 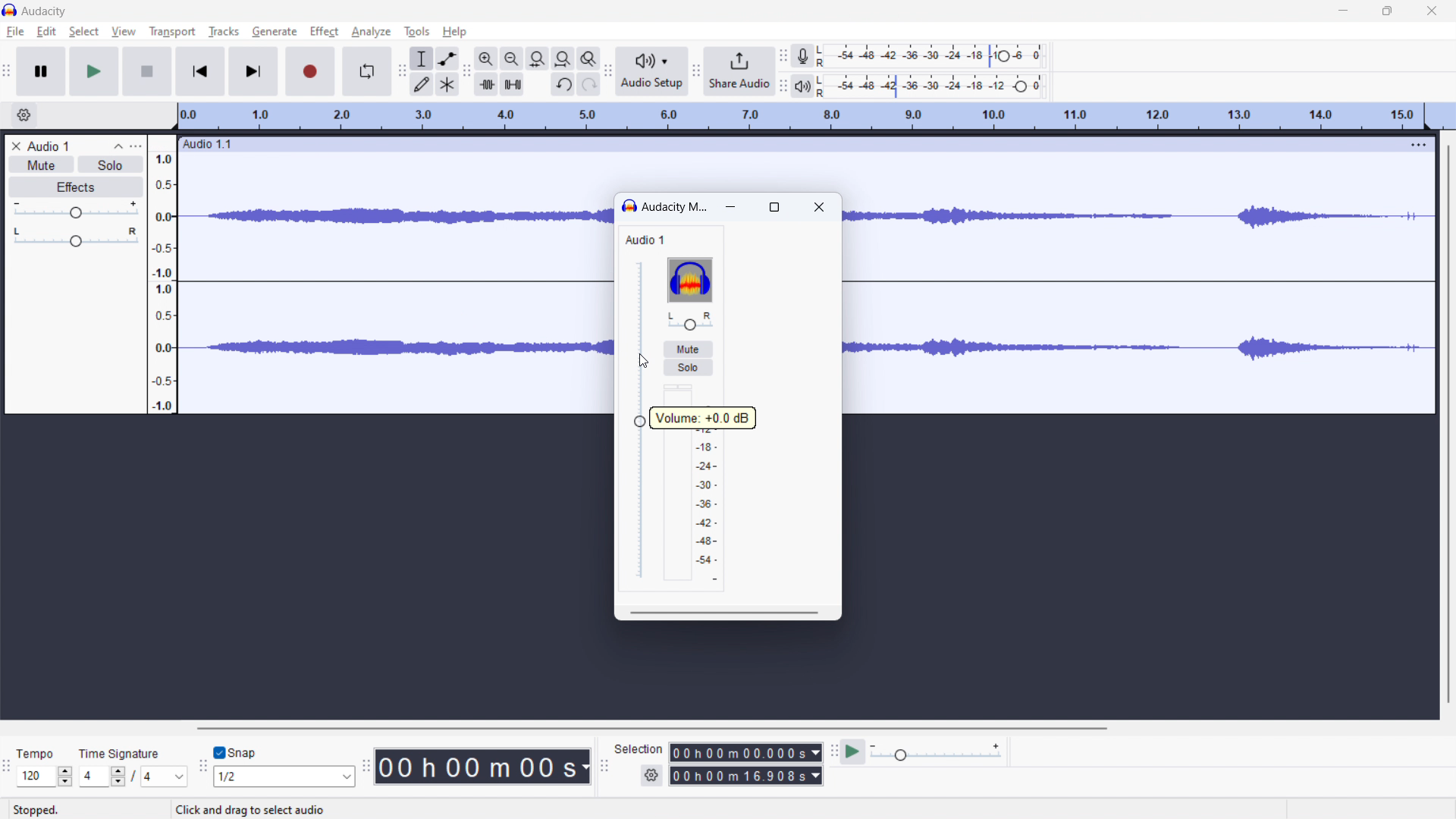 What do you see at coordinates (147, 72) in the screenshot?
I see `stop` at bounding box center [147, 72].